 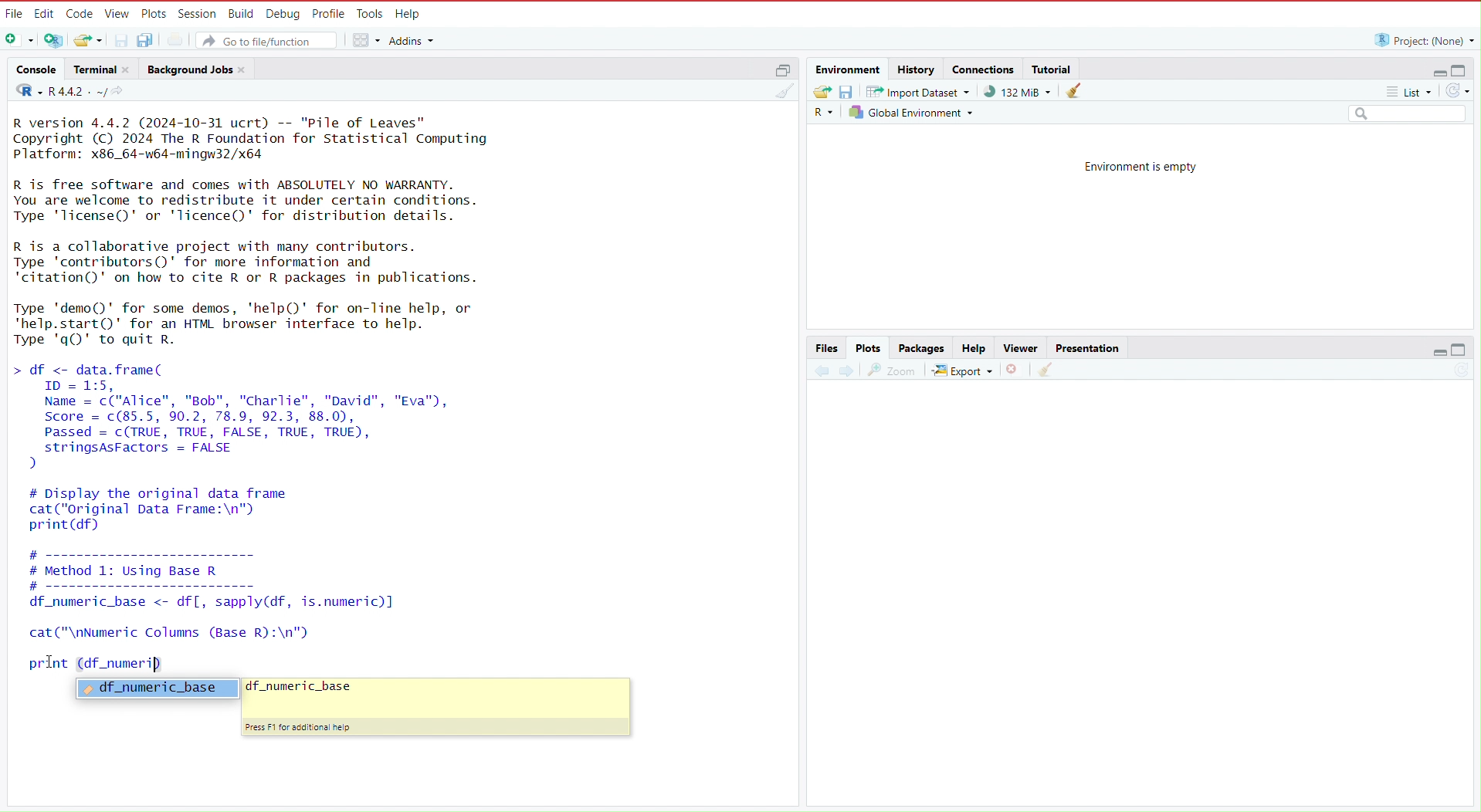 I want to click on Open an existing file, so click(x=90, y=40).